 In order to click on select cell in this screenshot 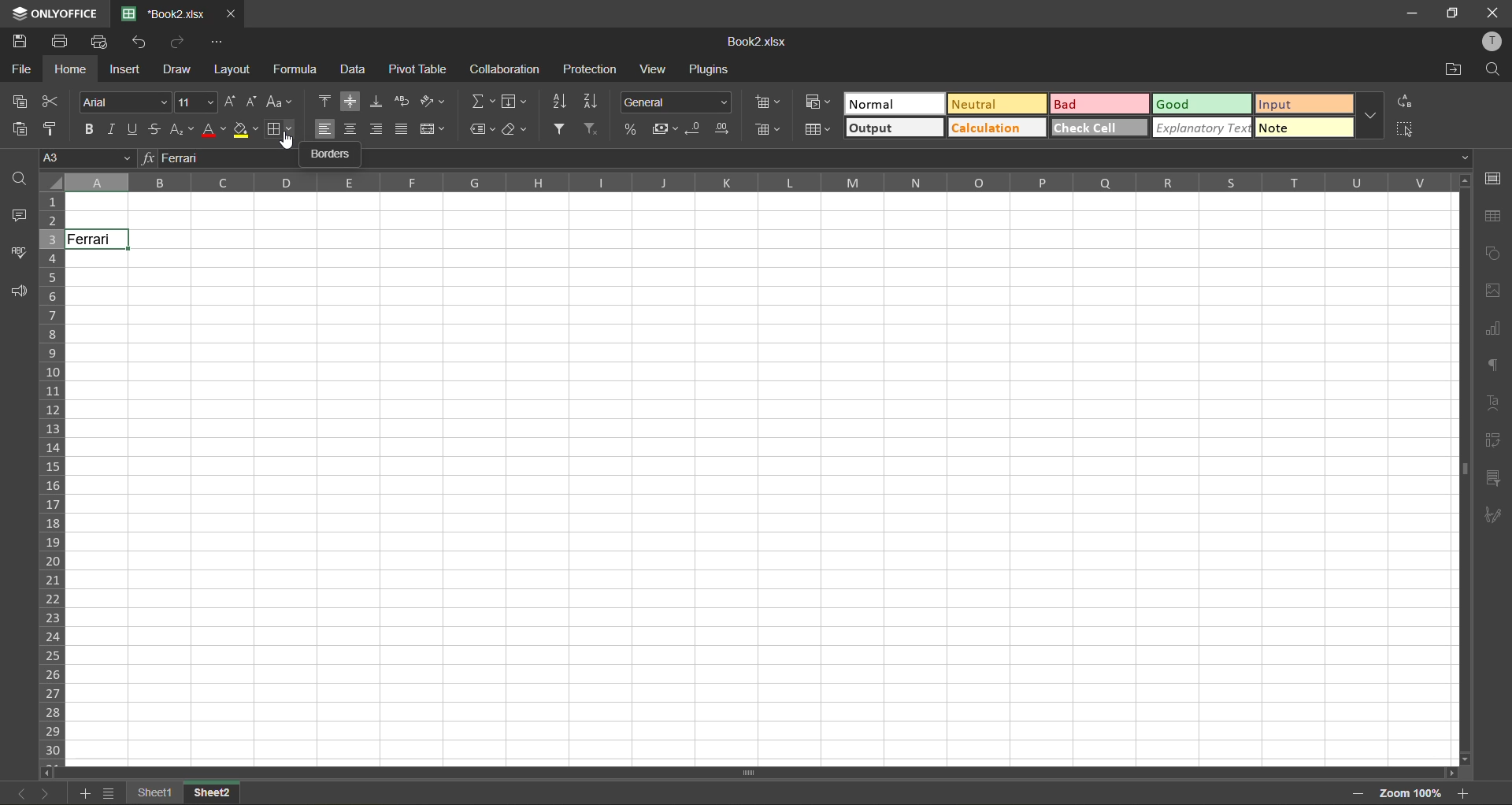, I will do `click(1407, 127)`.